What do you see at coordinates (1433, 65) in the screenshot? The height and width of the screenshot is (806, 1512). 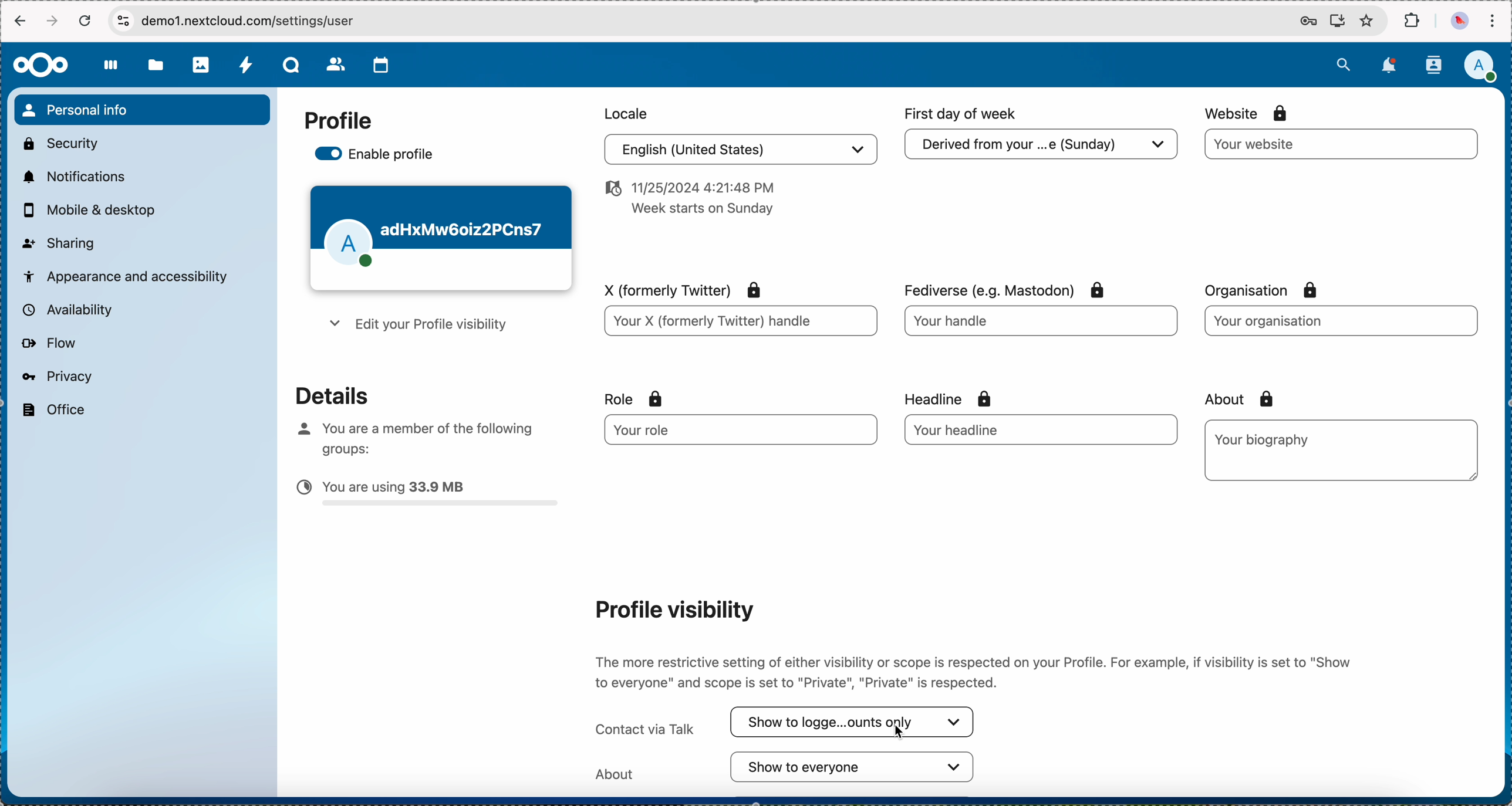 I see `contacts` at bounding box center [1433, 65].